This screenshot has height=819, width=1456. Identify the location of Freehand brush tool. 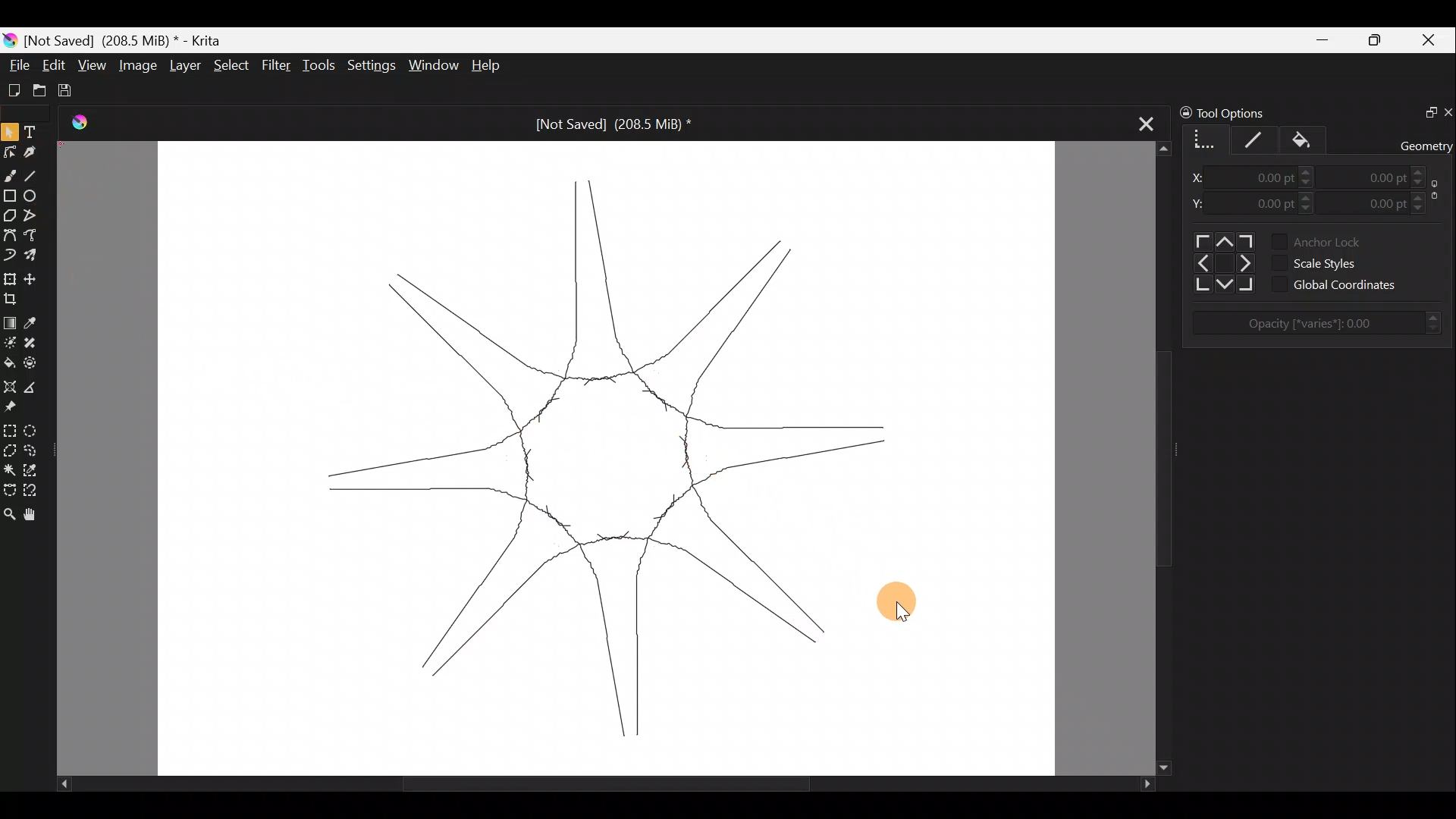
(9, 174).